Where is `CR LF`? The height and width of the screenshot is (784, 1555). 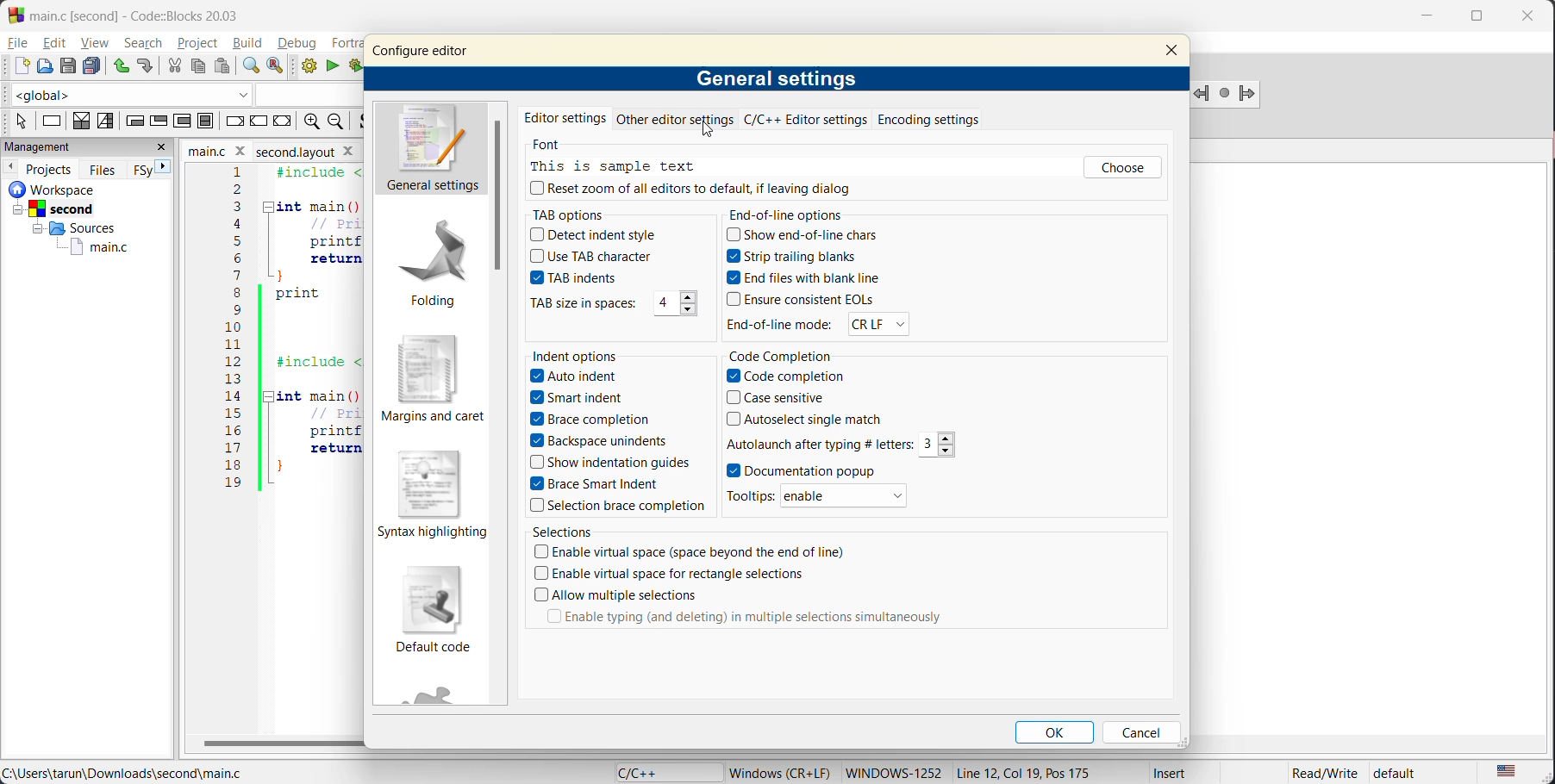 CR LF is located at coordinates (896, 325).